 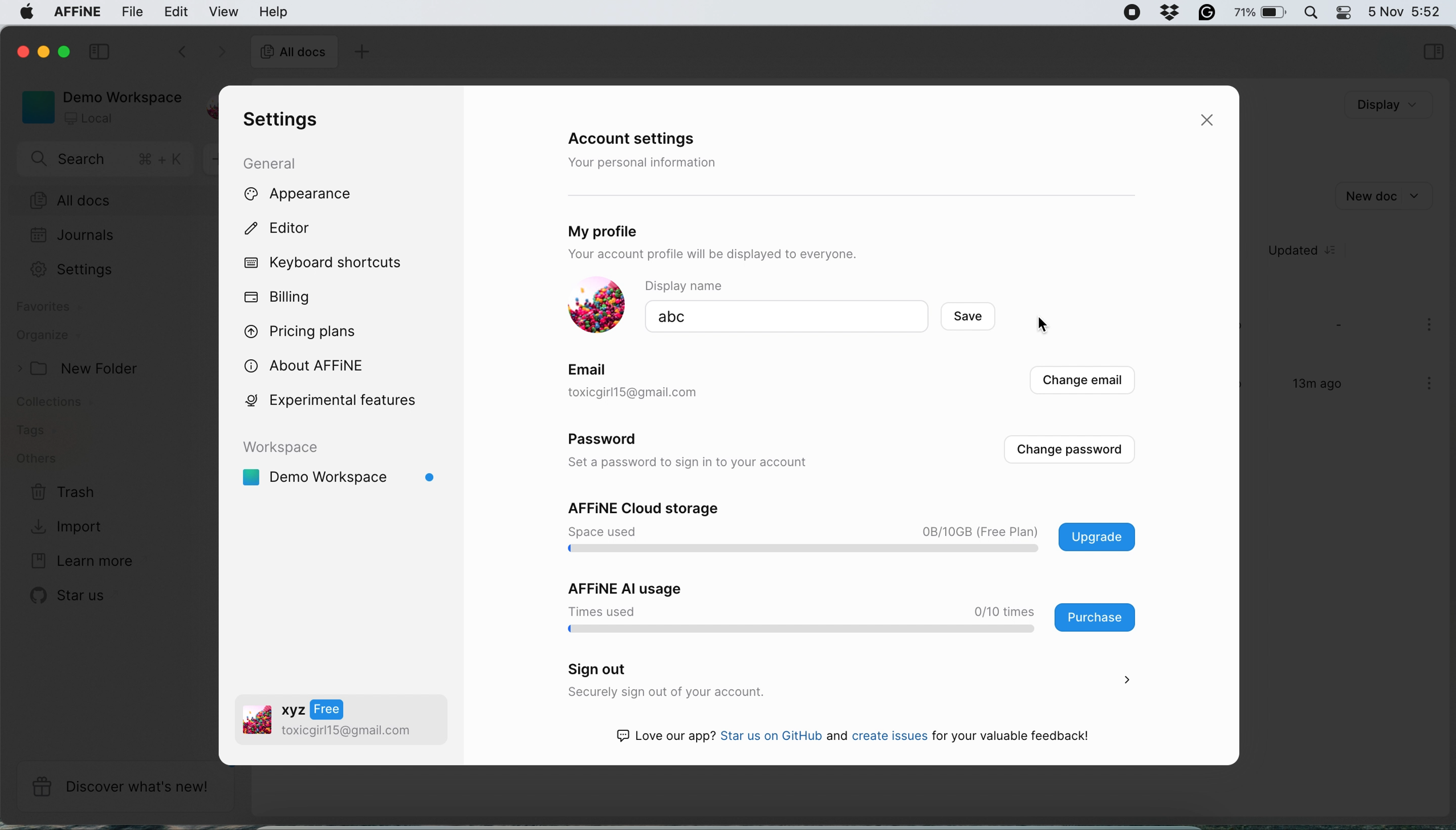 I want to click on Settings, so click(x=85, y=269).